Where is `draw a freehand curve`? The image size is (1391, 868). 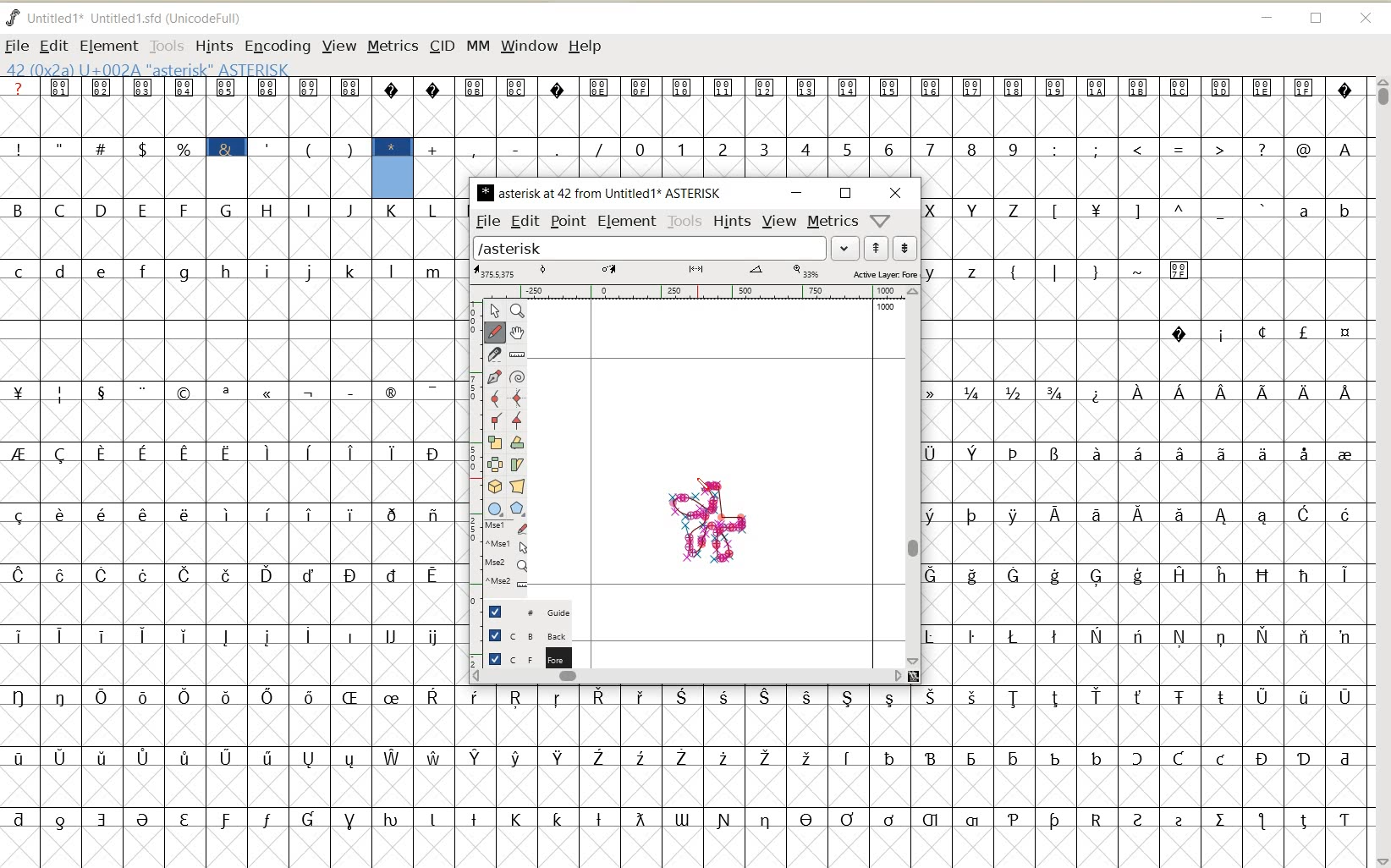
draw a freehand curve is located at coordinates (494, 333).